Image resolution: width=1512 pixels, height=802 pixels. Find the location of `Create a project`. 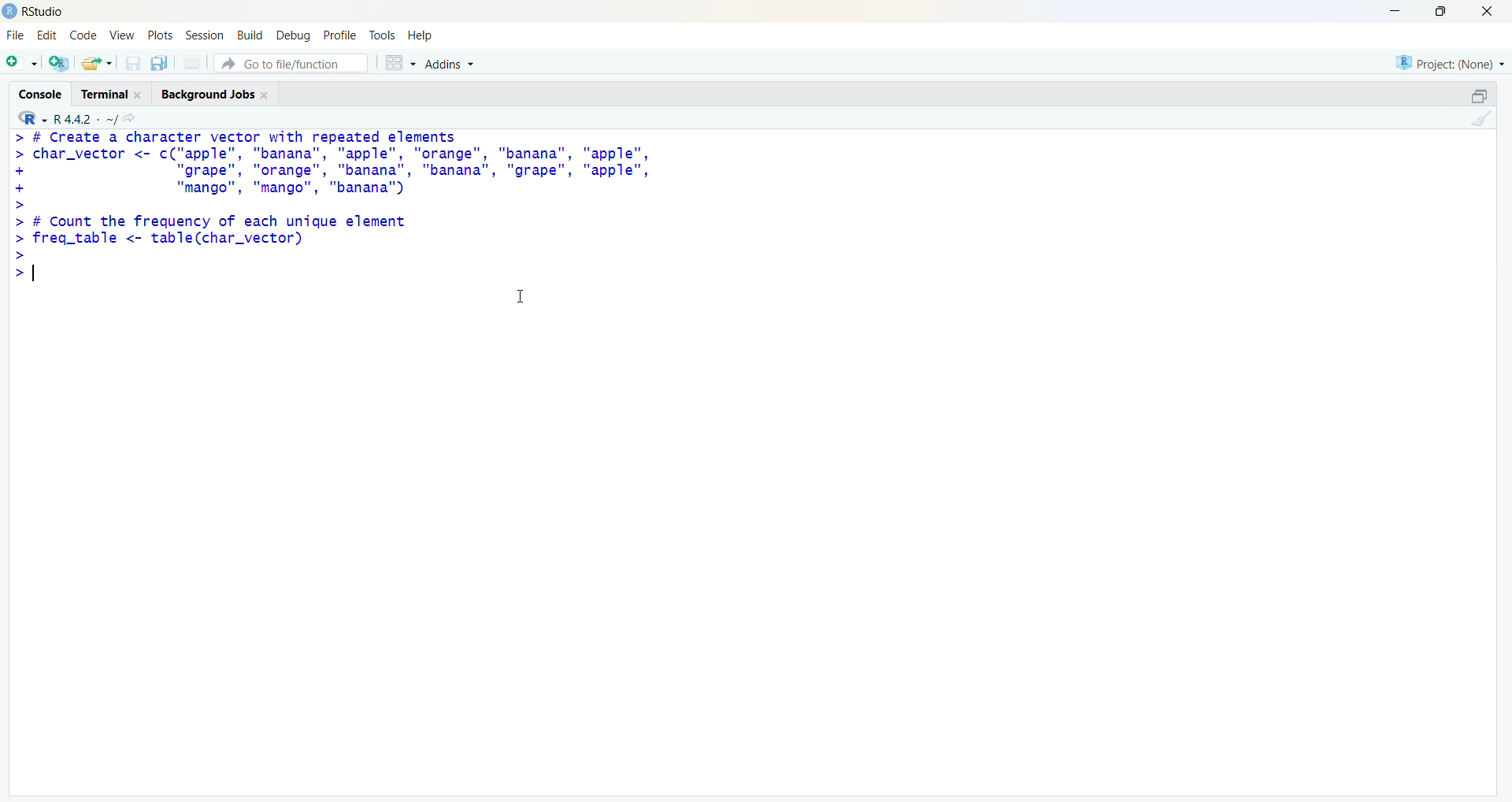

Create a project is located at coordinates (59, 63).